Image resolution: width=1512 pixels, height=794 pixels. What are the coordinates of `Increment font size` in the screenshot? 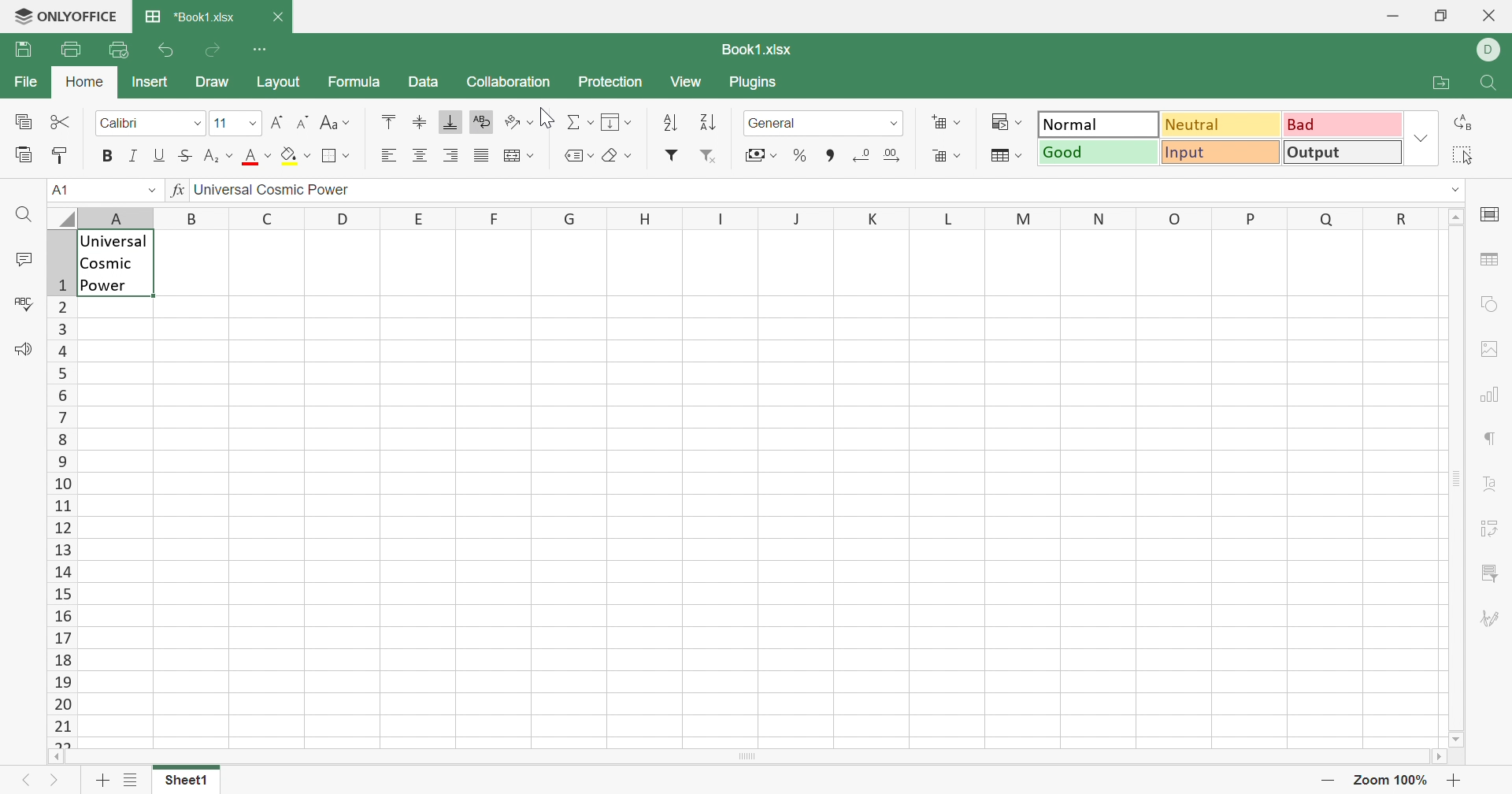 It's located at (282, 121).